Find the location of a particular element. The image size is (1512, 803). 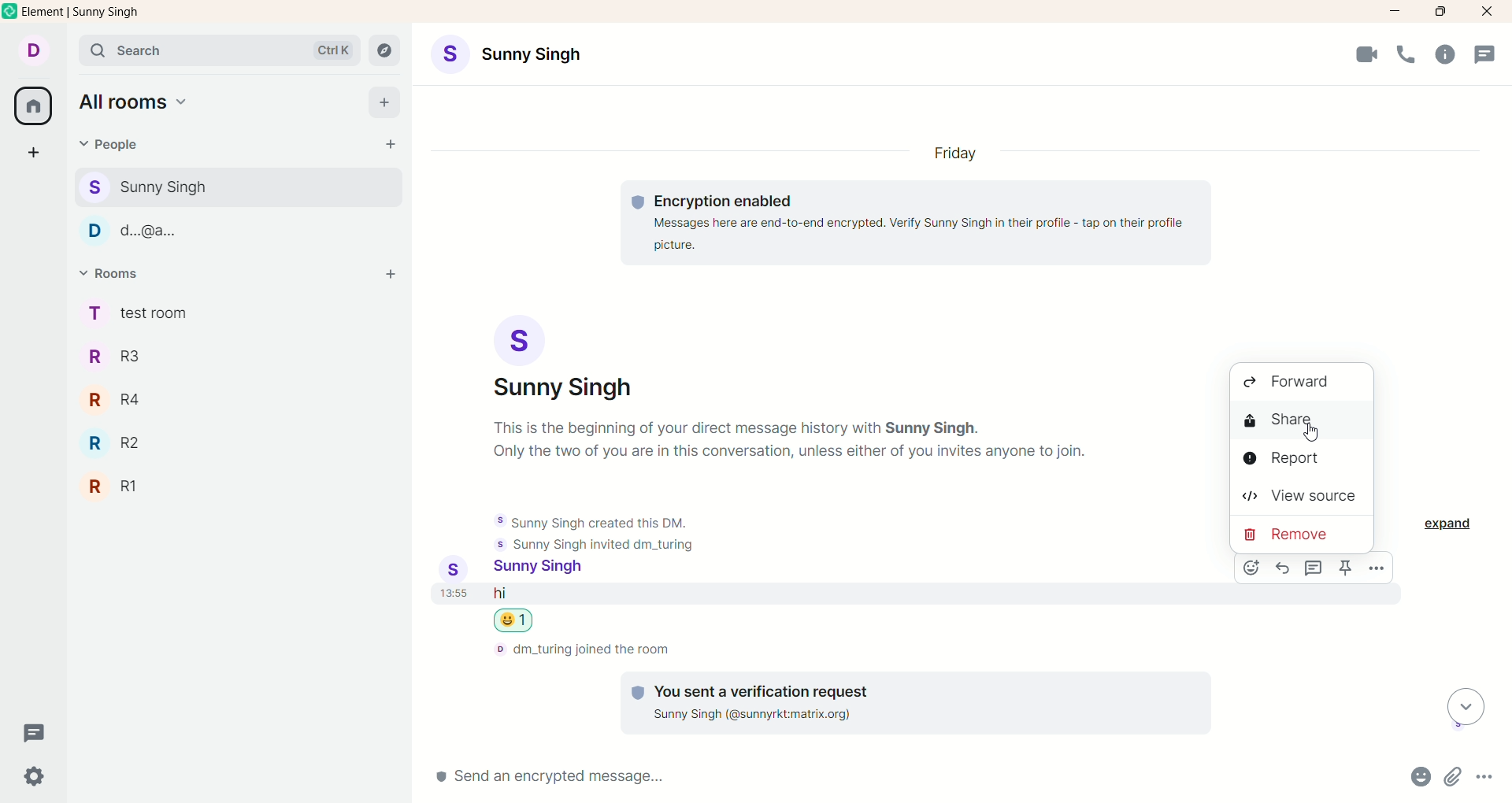

add is located at coordinates (389, 279).